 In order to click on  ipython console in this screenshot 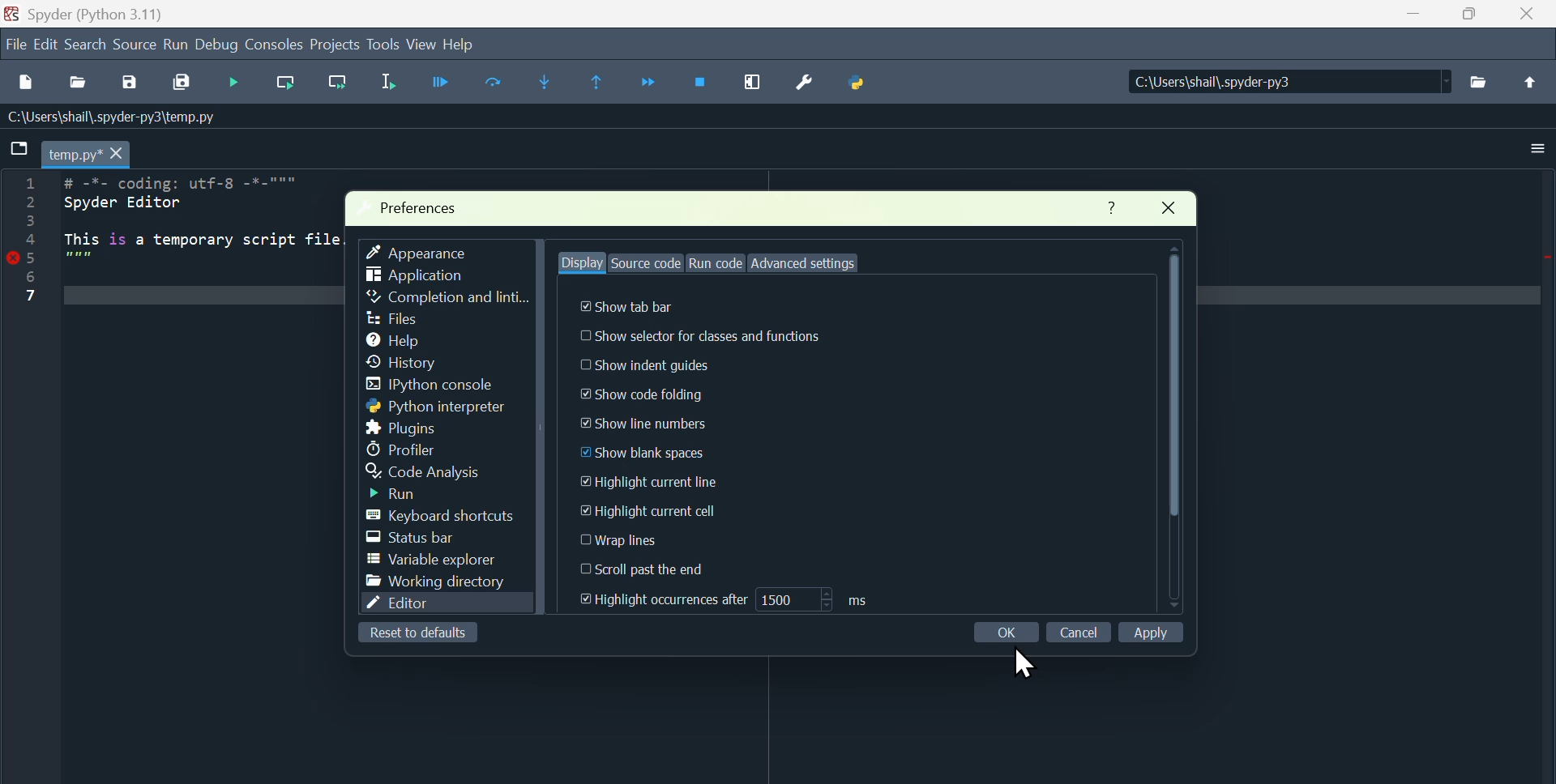, I will do `click(453, 385)`.